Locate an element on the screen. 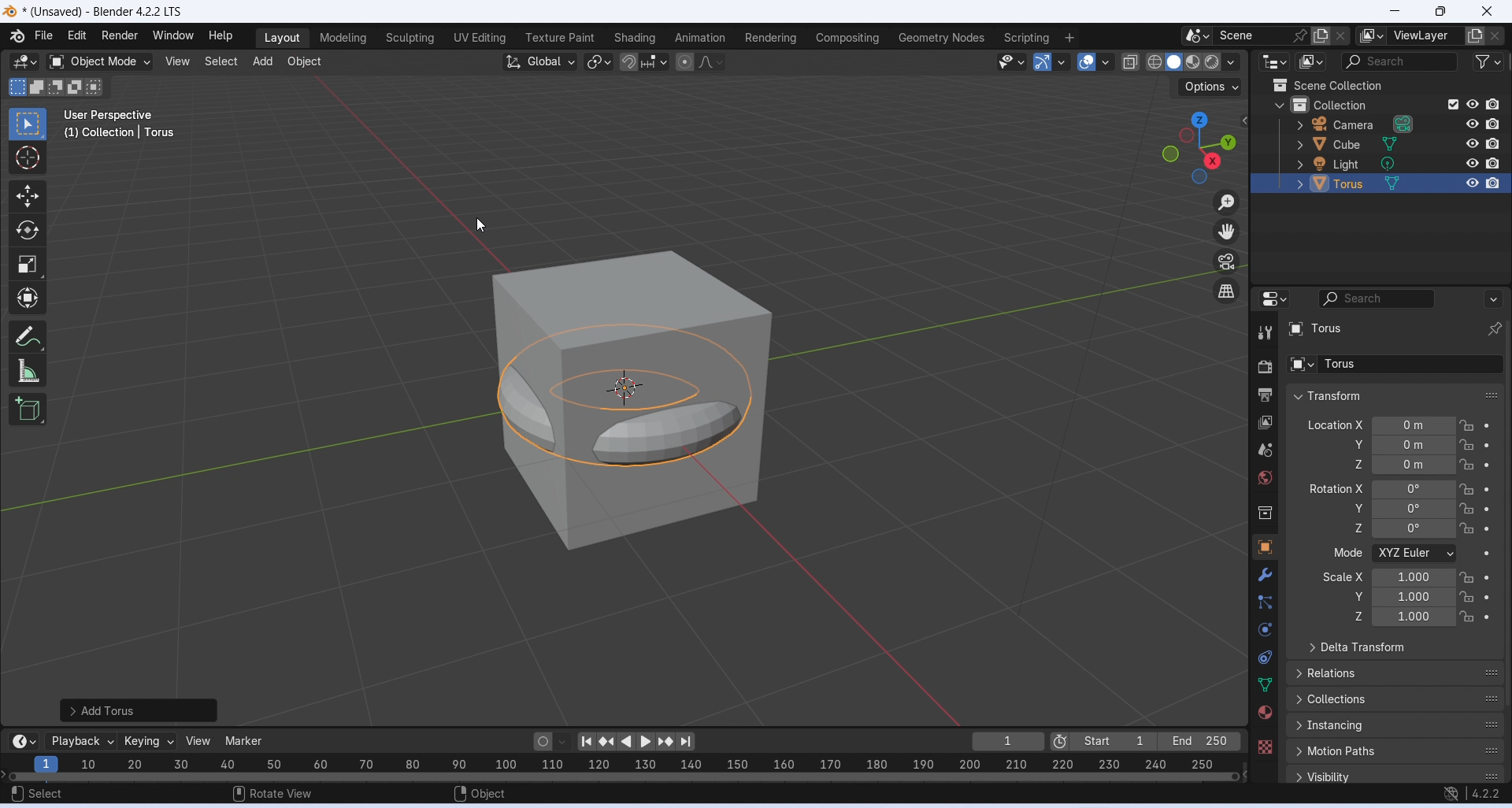  Material is located at coordinates (1264, 712).